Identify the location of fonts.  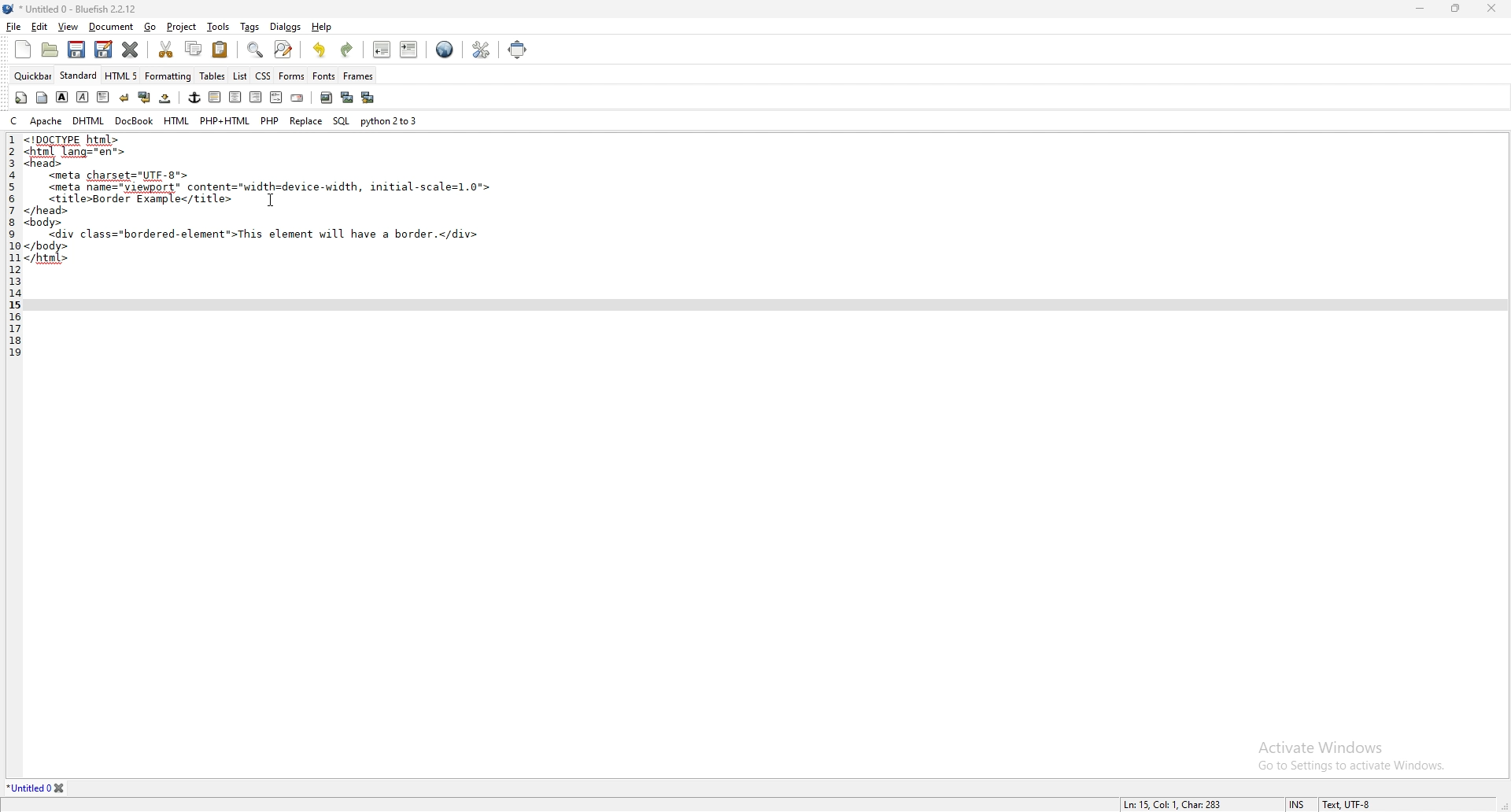
(323, 76).